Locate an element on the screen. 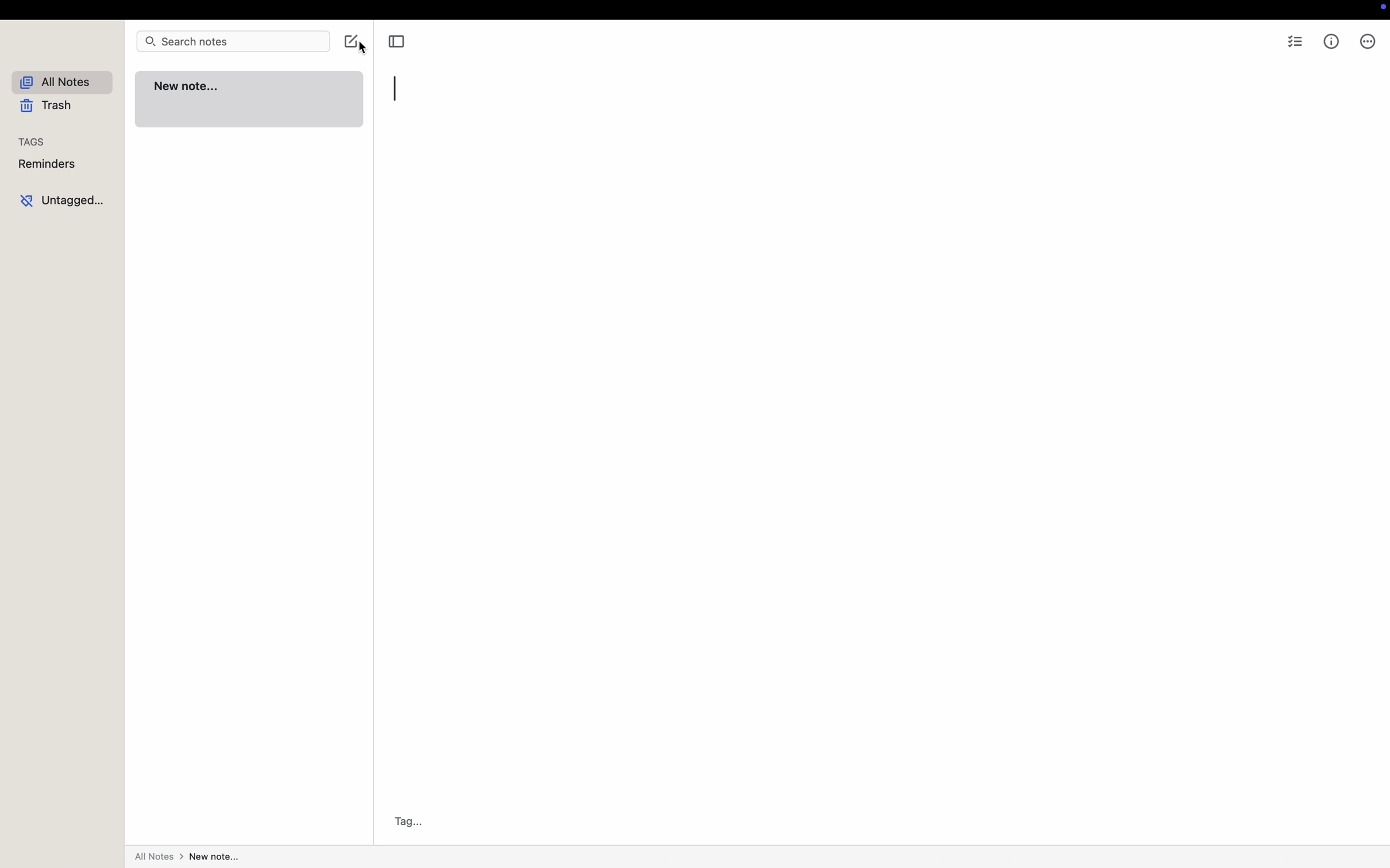 This screenshot has width=1390, height=868. all notes is located at coordinates (61, 80).